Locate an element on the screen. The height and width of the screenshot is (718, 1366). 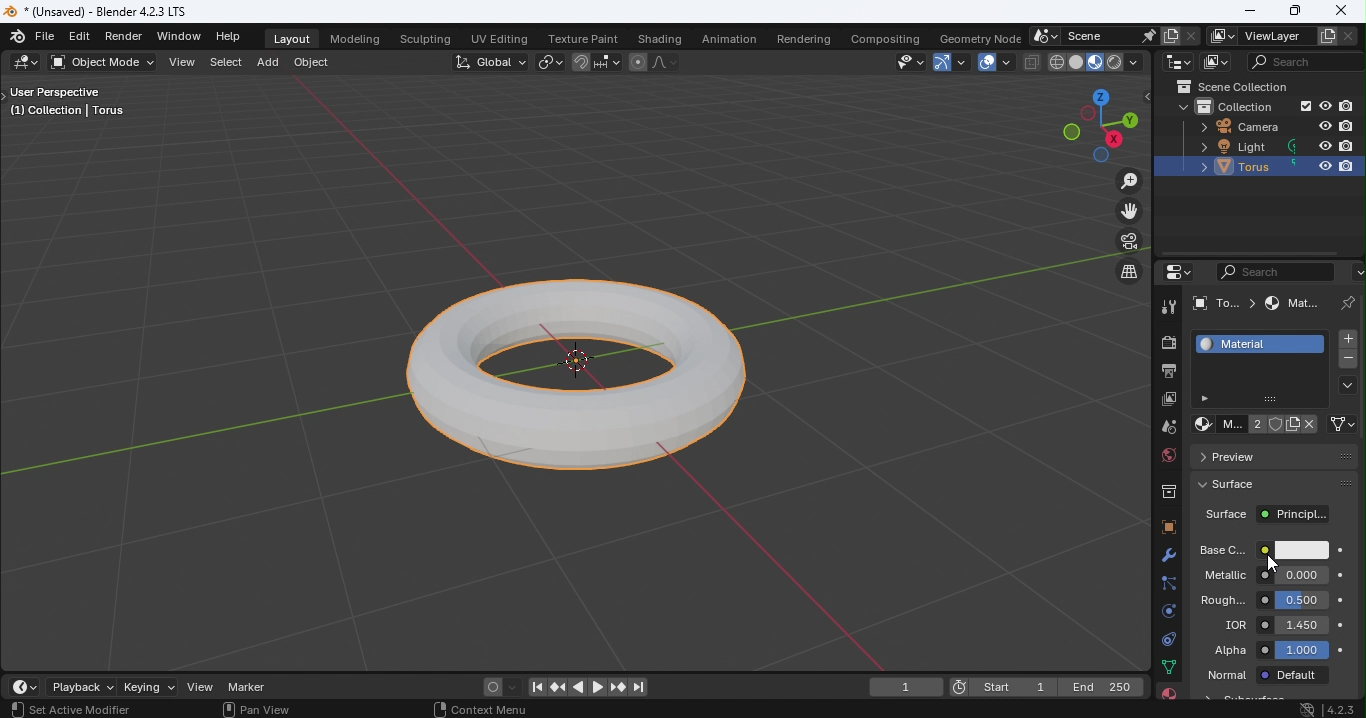
Browse material to be linked is located at coordinates (1202, 424).